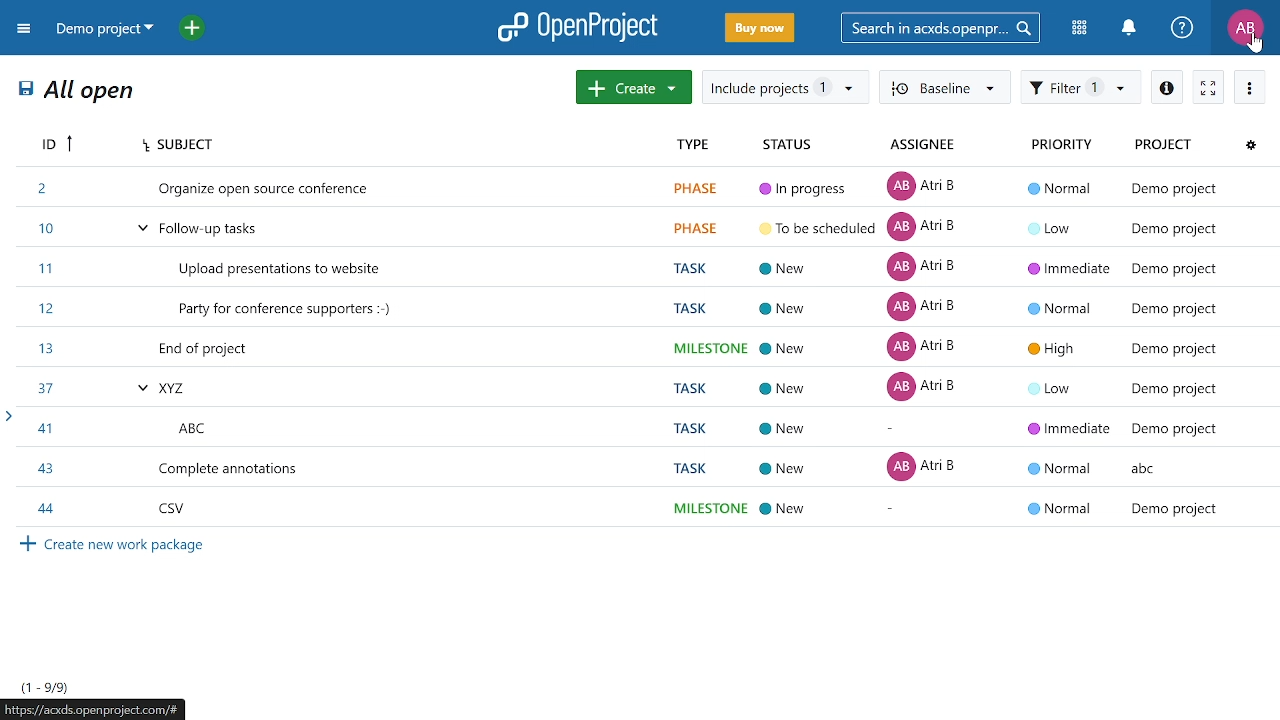  What do you see at coordinates (1081, 27) in the screenshot?
I see `Modules` at bounding box center [1081, 27].